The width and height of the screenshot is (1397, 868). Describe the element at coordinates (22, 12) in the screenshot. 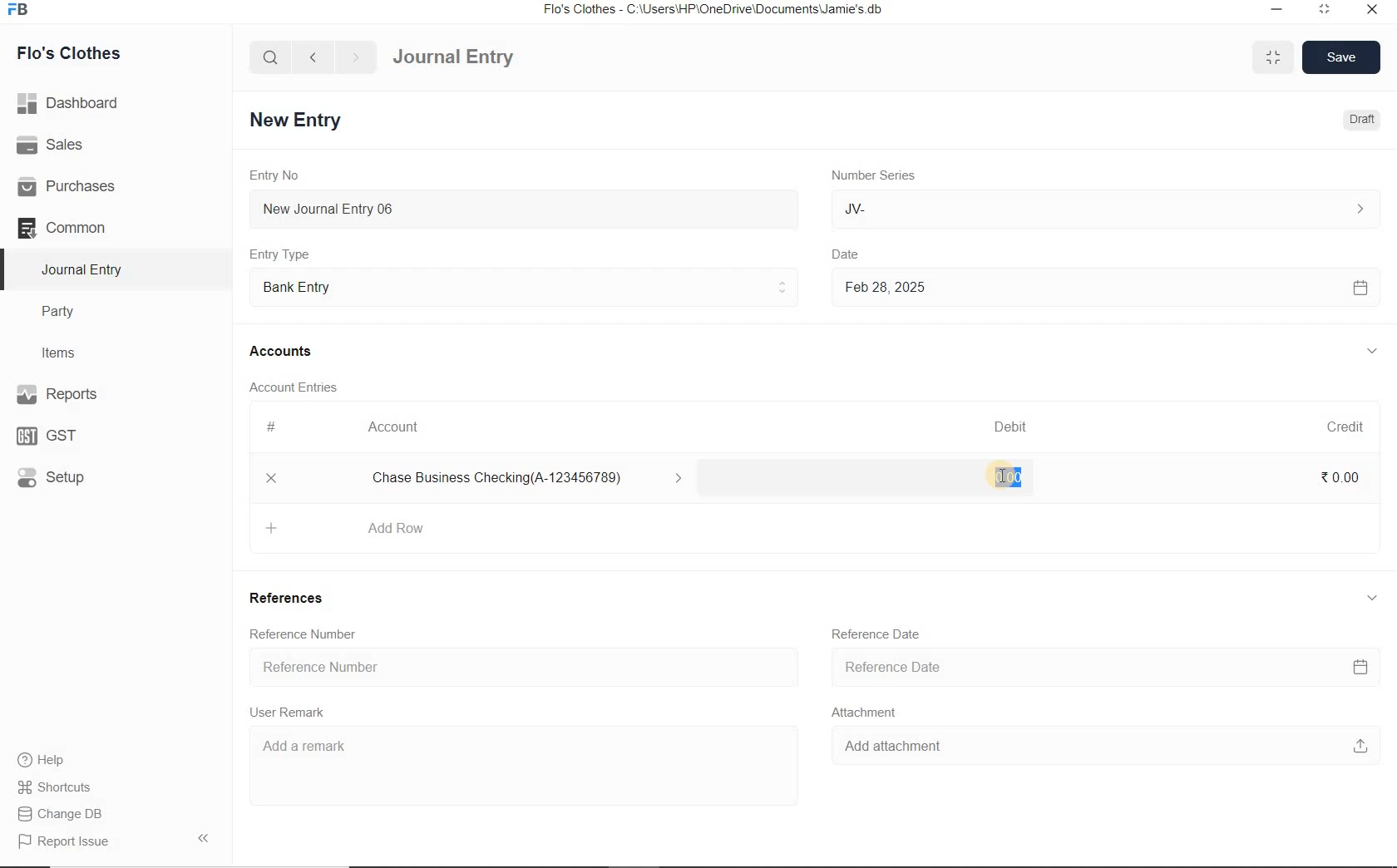

I see `Frappe Books logo` at that location.